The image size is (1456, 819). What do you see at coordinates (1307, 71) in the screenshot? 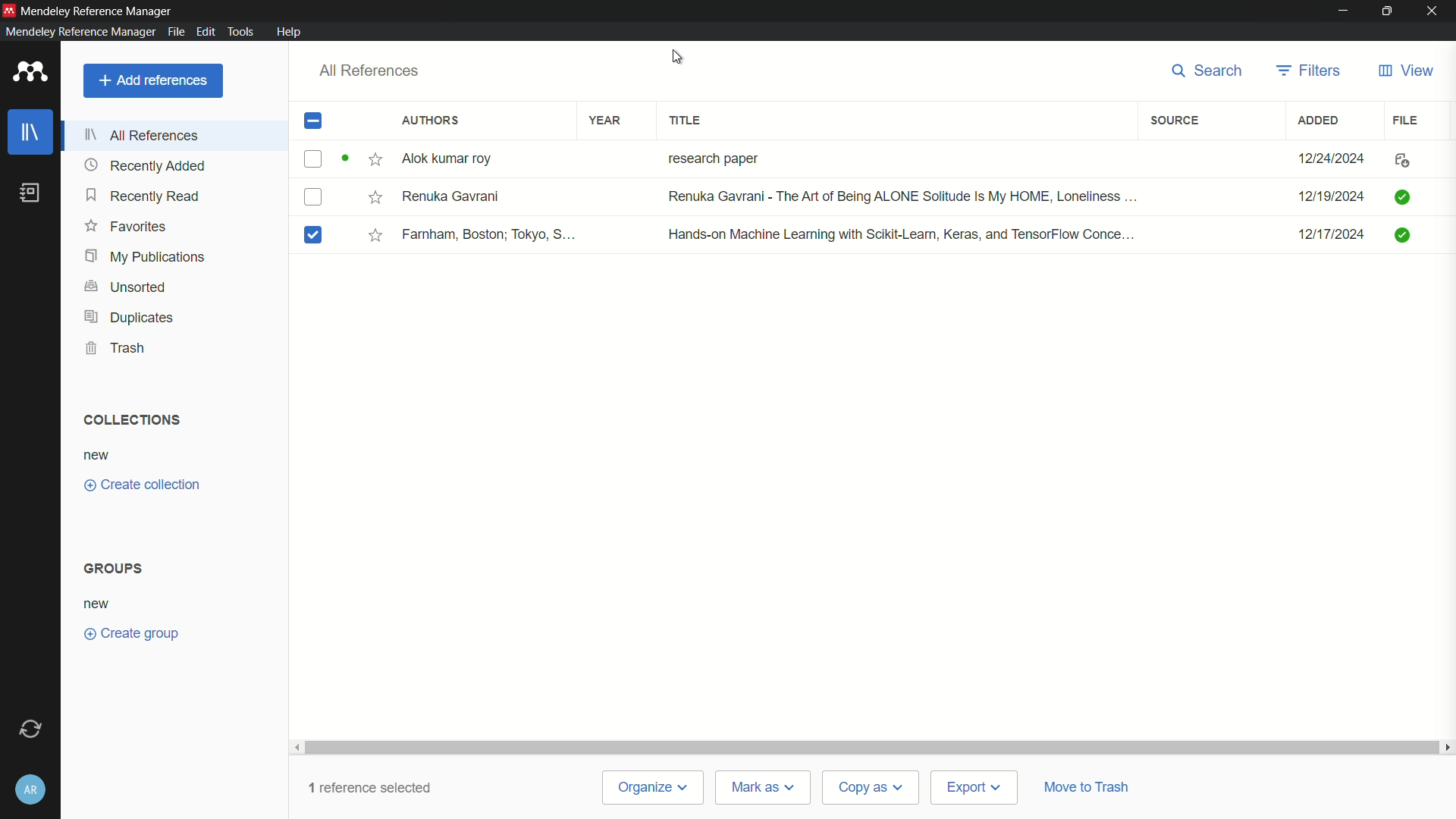
I see `filters` at bounding box center [1307, 71].